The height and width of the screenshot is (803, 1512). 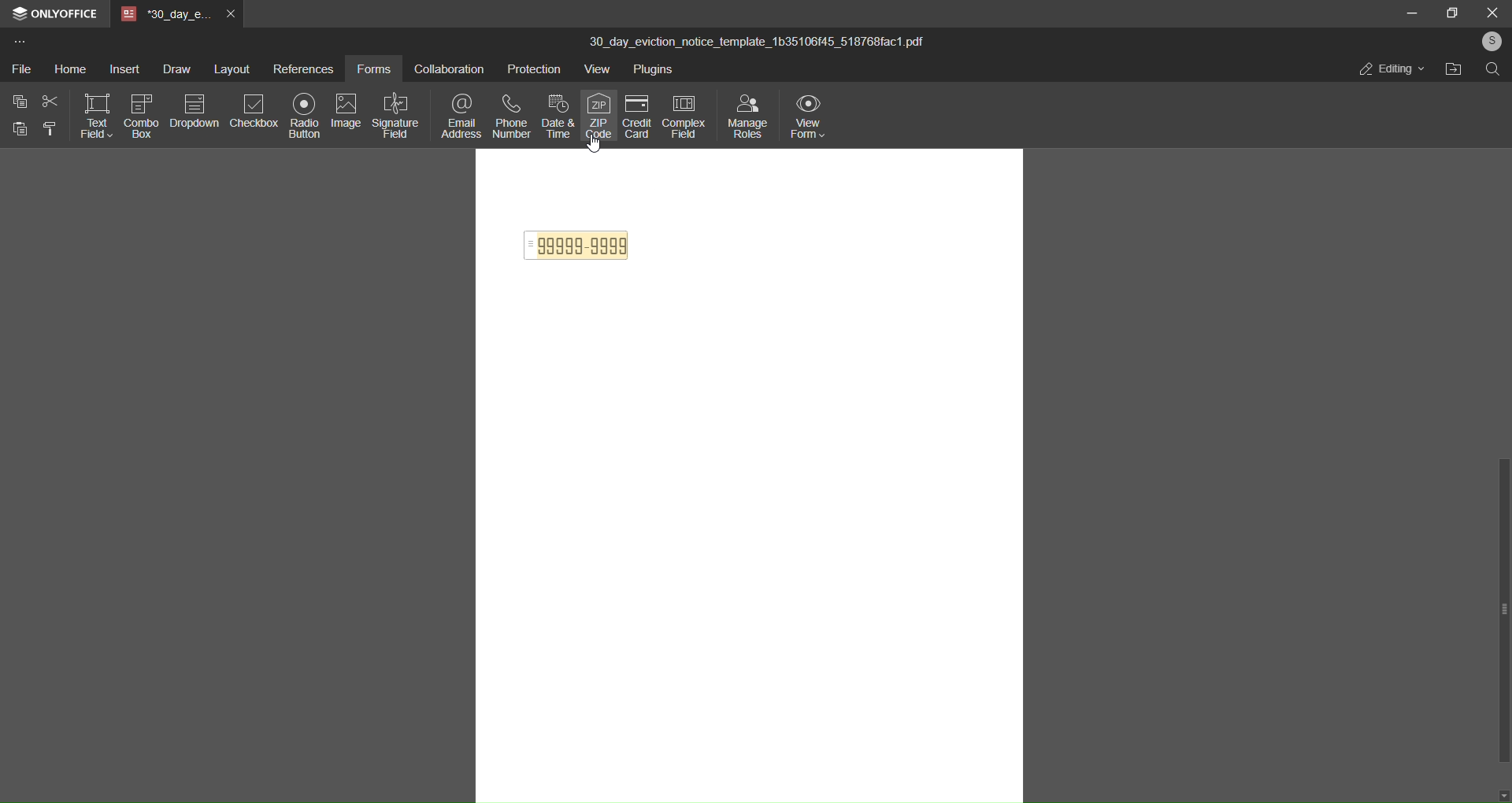 What do you see at coordinates (302, 115) in the screenshot?
I see `radio button` at bounding box center [302, 115].